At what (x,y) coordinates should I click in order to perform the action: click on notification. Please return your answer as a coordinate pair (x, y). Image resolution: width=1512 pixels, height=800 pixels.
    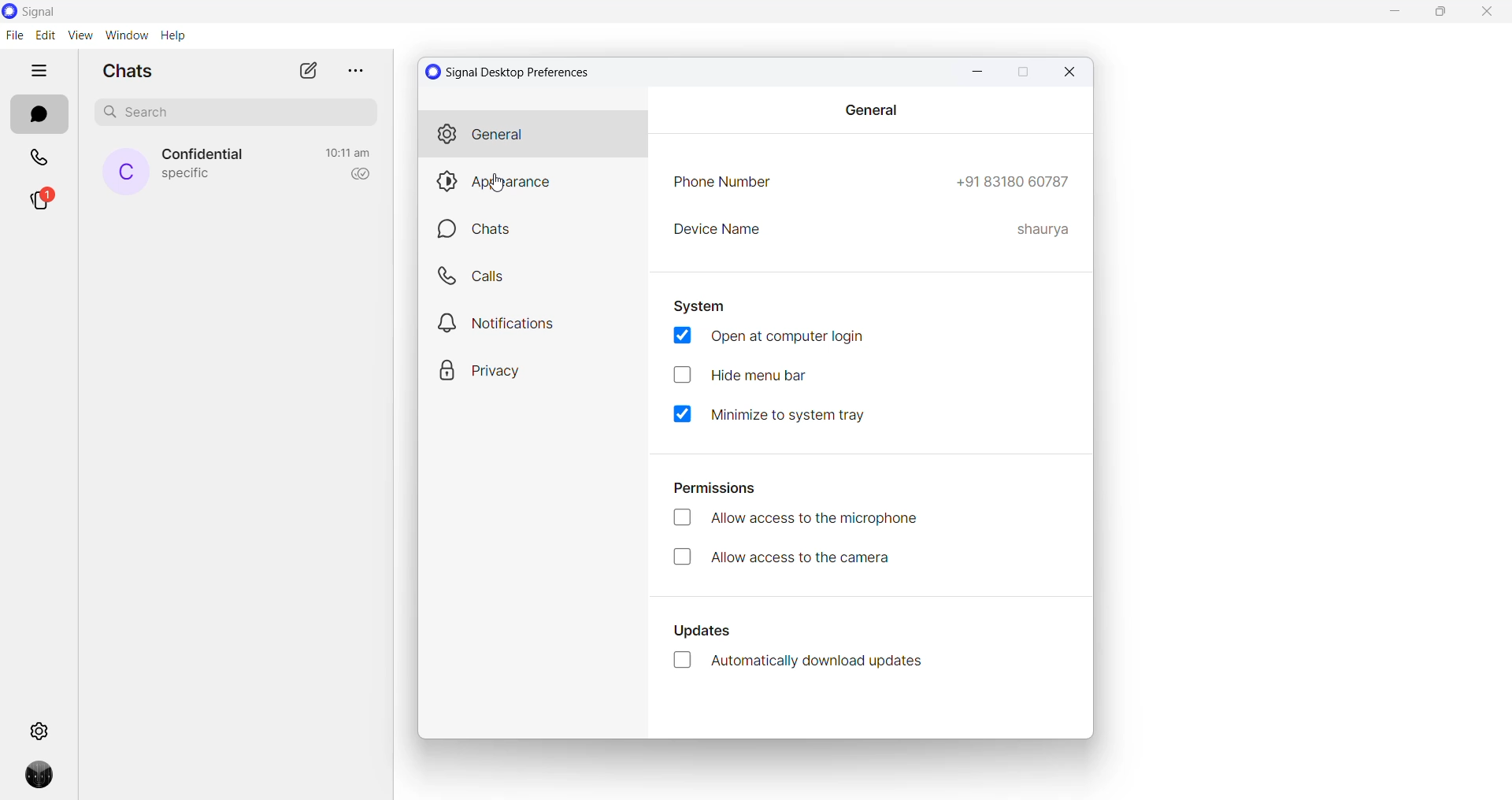
    Looking at the image, I should click on (535, 320).